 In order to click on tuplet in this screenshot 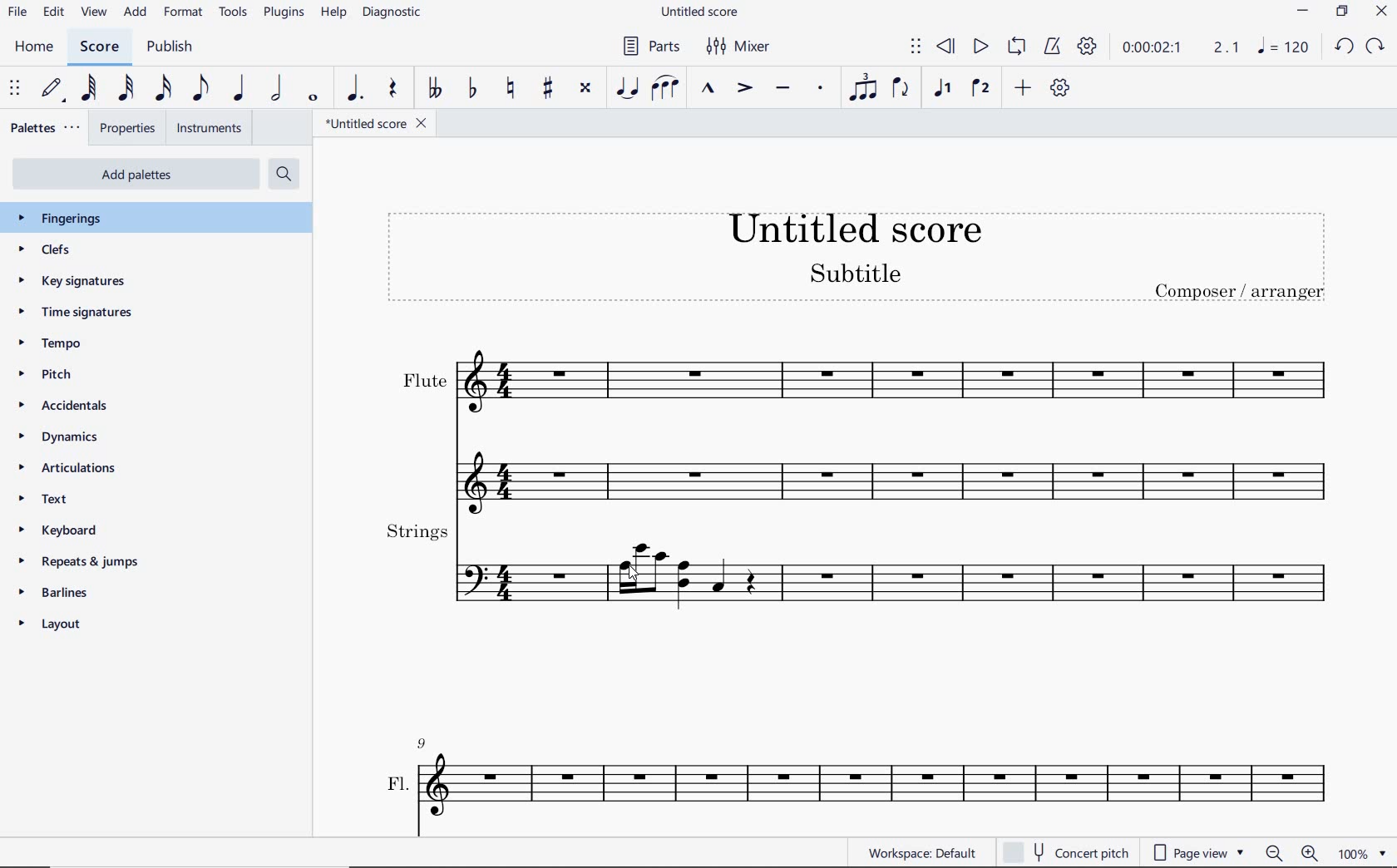, I will do `click(864, 89)`.